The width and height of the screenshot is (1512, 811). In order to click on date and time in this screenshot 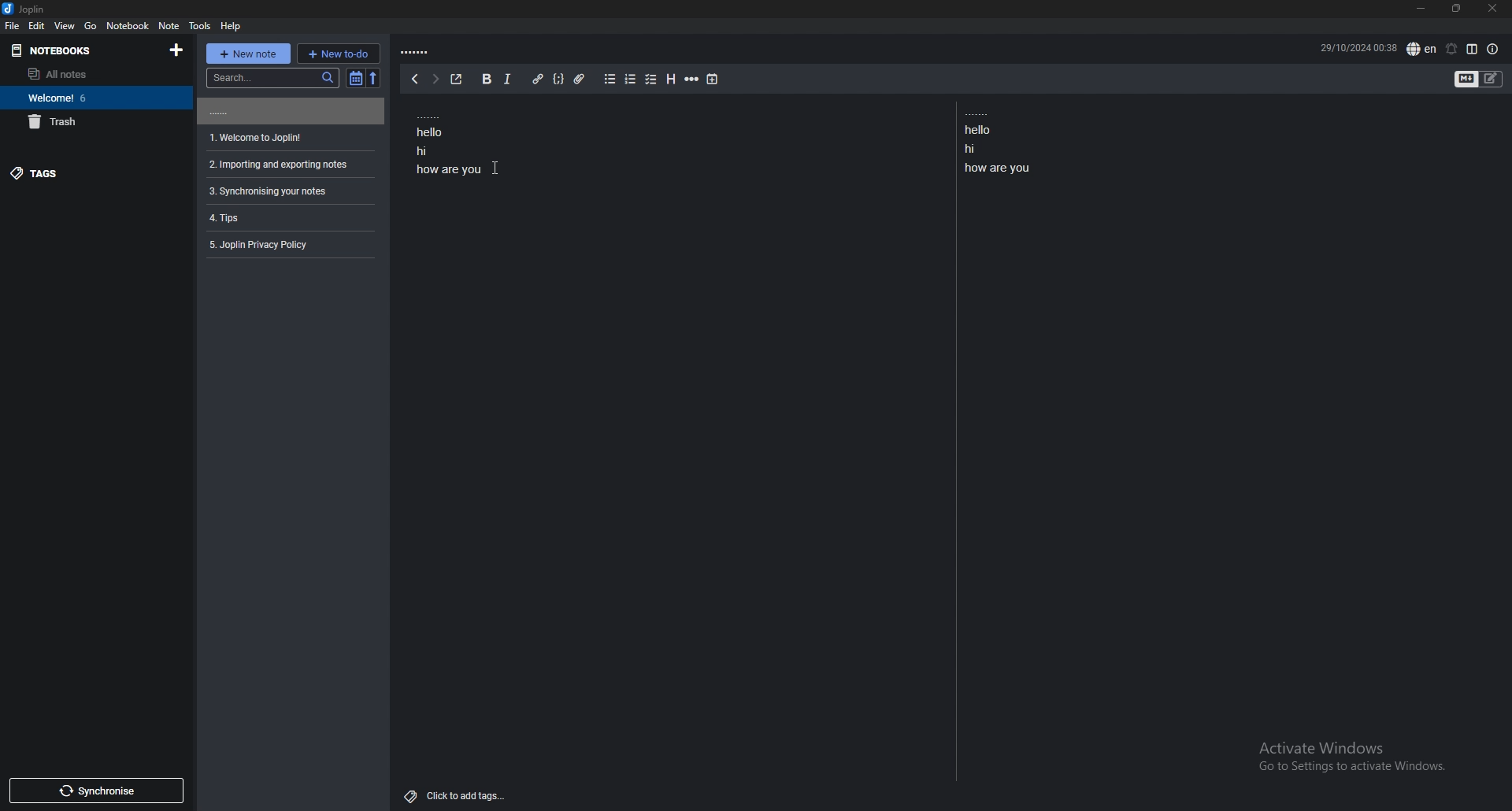, I will do `click(1358, 46)`.